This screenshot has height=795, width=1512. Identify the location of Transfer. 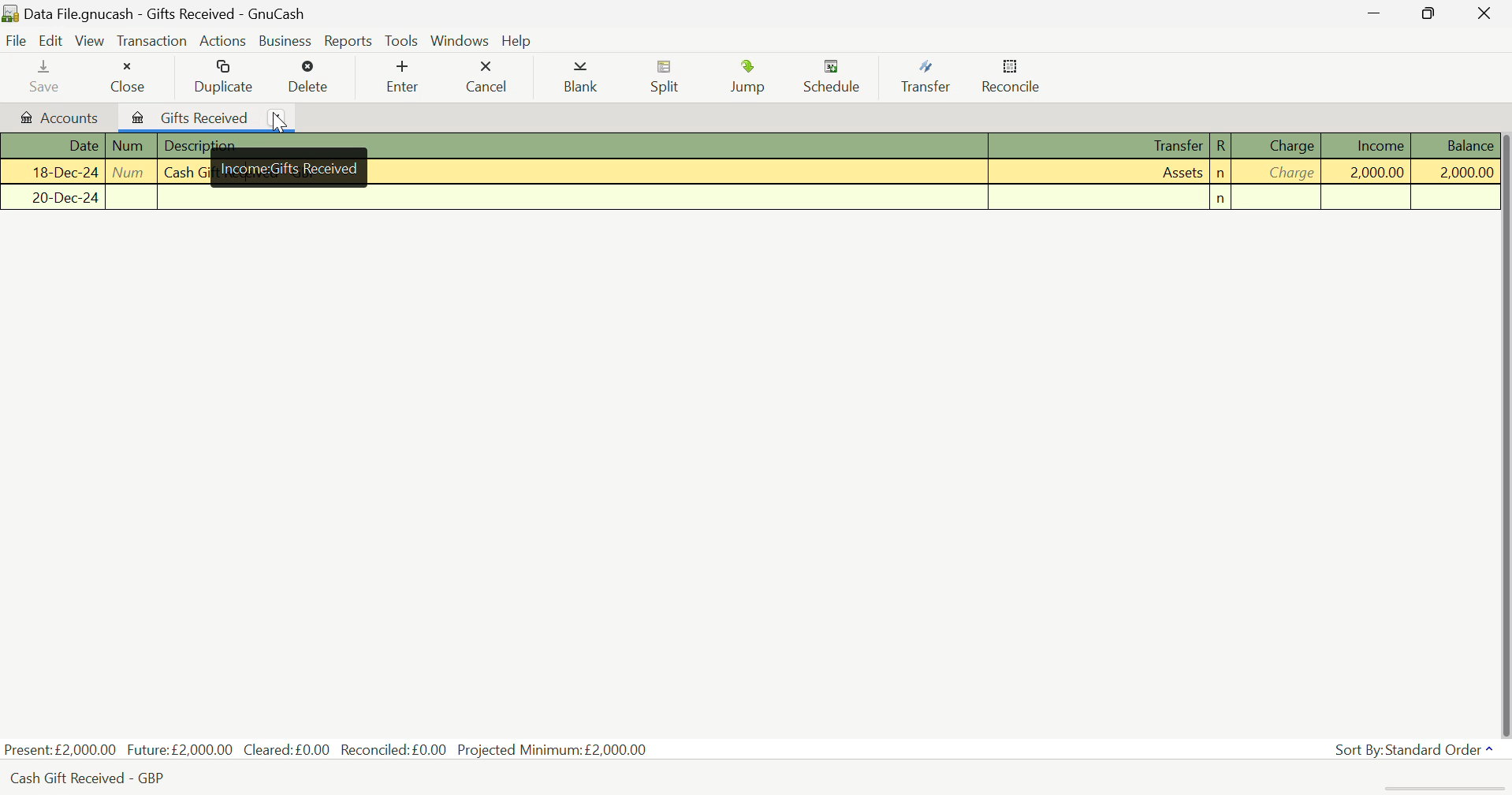
(1101, 147).